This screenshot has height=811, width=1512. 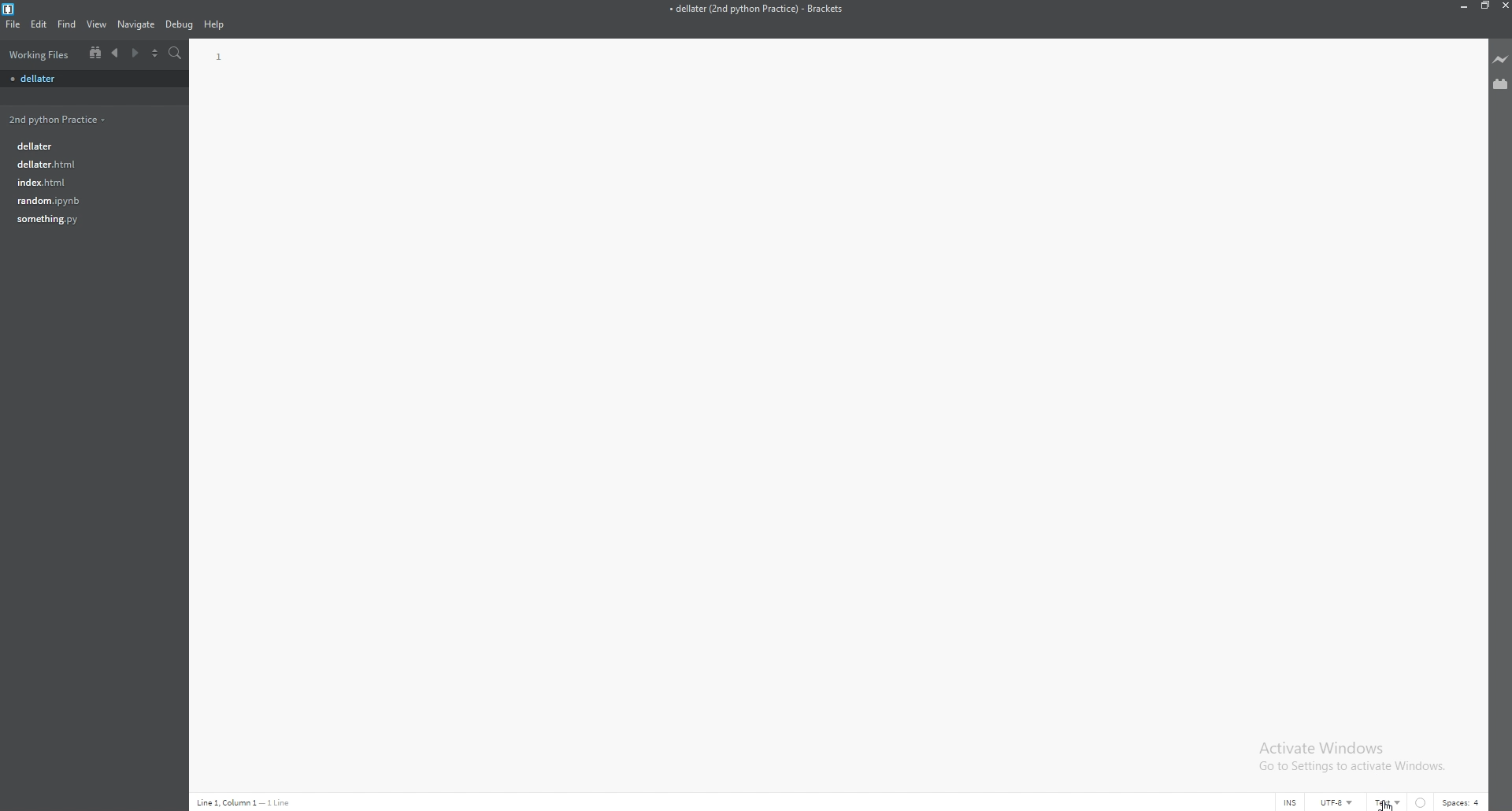 I want to click on file, so click(x=87, y=182).